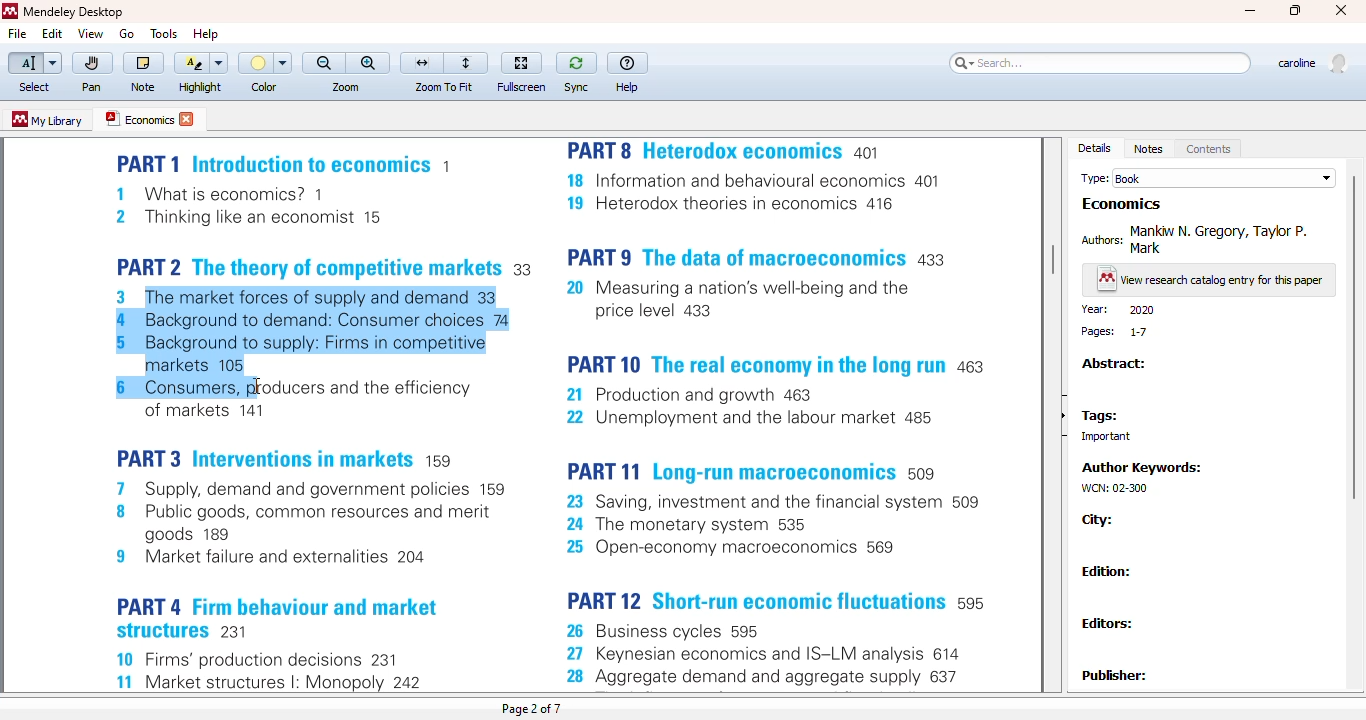 The image size is (1366, 720). What do you see at coordinates (1118, 310) in the screenshot?
I see `year: 2020` at bounding box center [1118, 310].